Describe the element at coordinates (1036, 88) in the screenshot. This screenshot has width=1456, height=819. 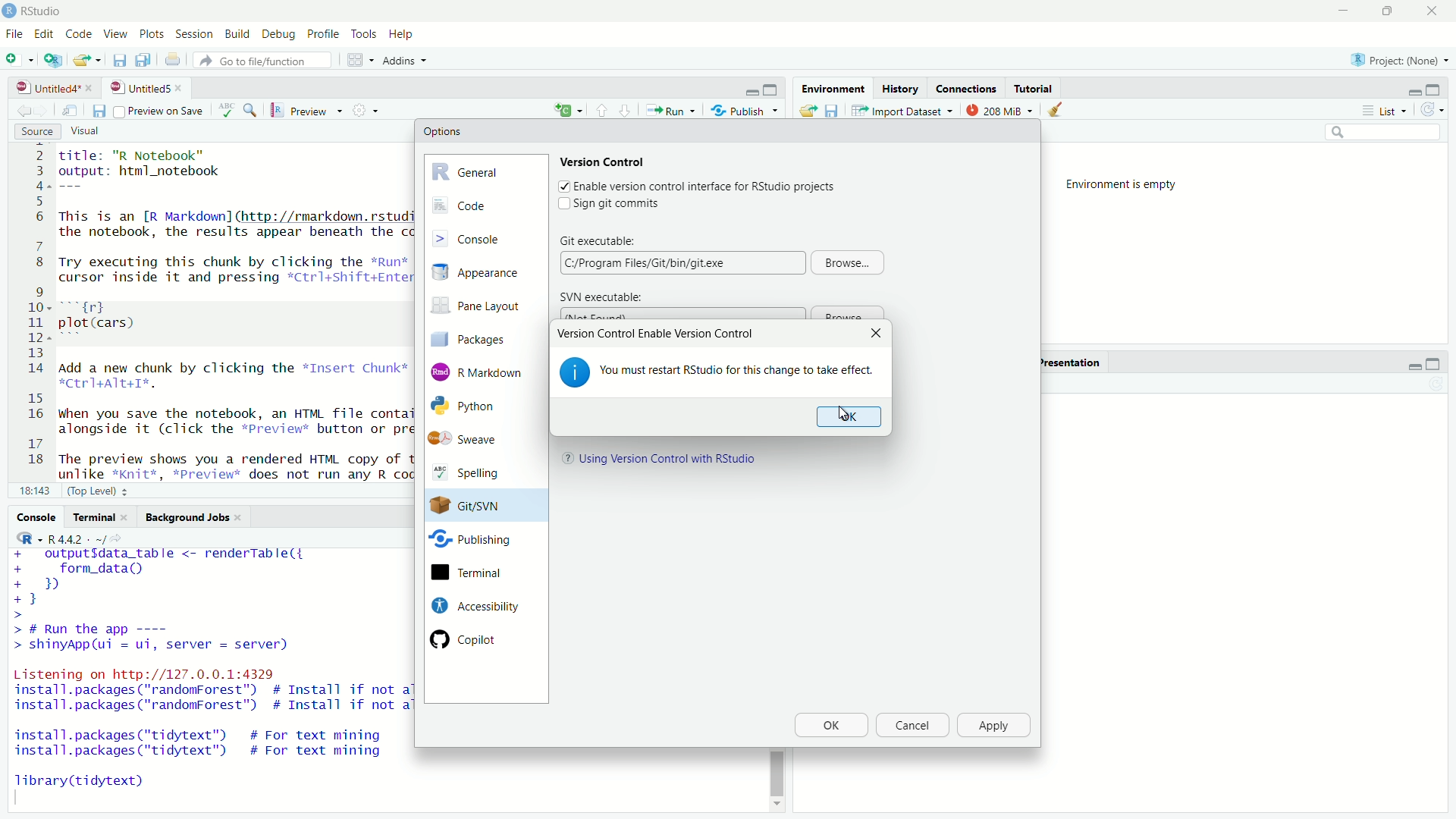
I see `Tutorial` at that location.